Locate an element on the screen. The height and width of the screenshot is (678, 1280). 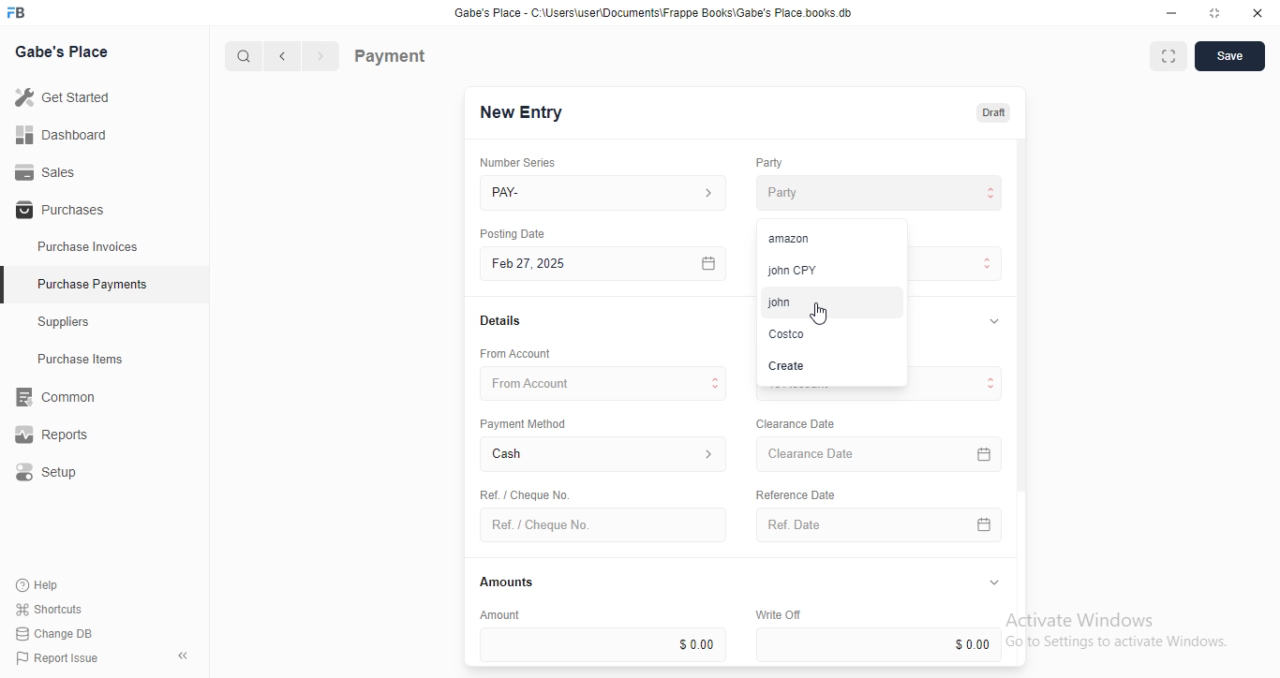
Costco is located at coordinates (802, 334).